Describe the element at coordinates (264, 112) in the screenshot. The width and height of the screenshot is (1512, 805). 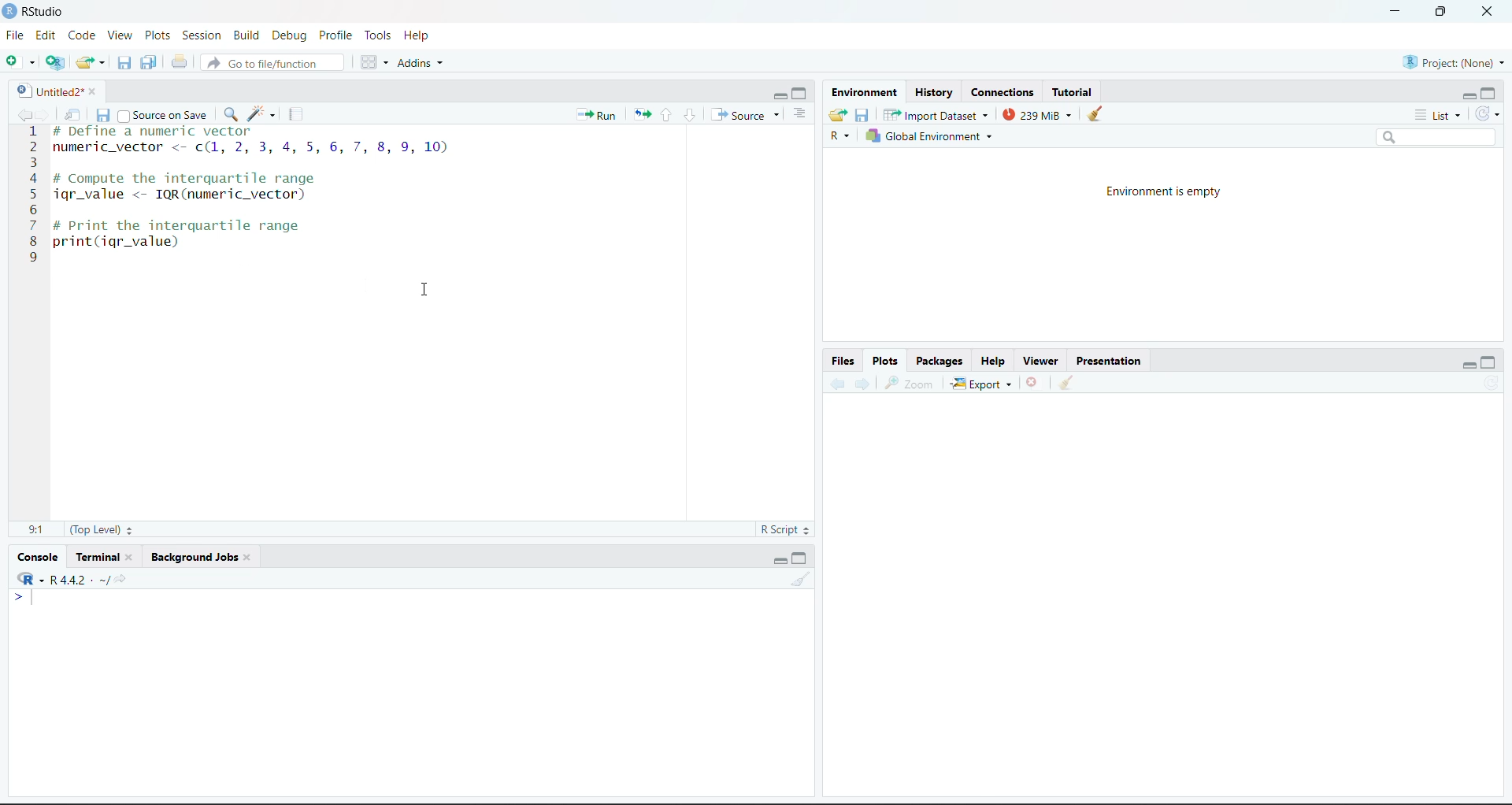
I see `Code Tools` at that location.